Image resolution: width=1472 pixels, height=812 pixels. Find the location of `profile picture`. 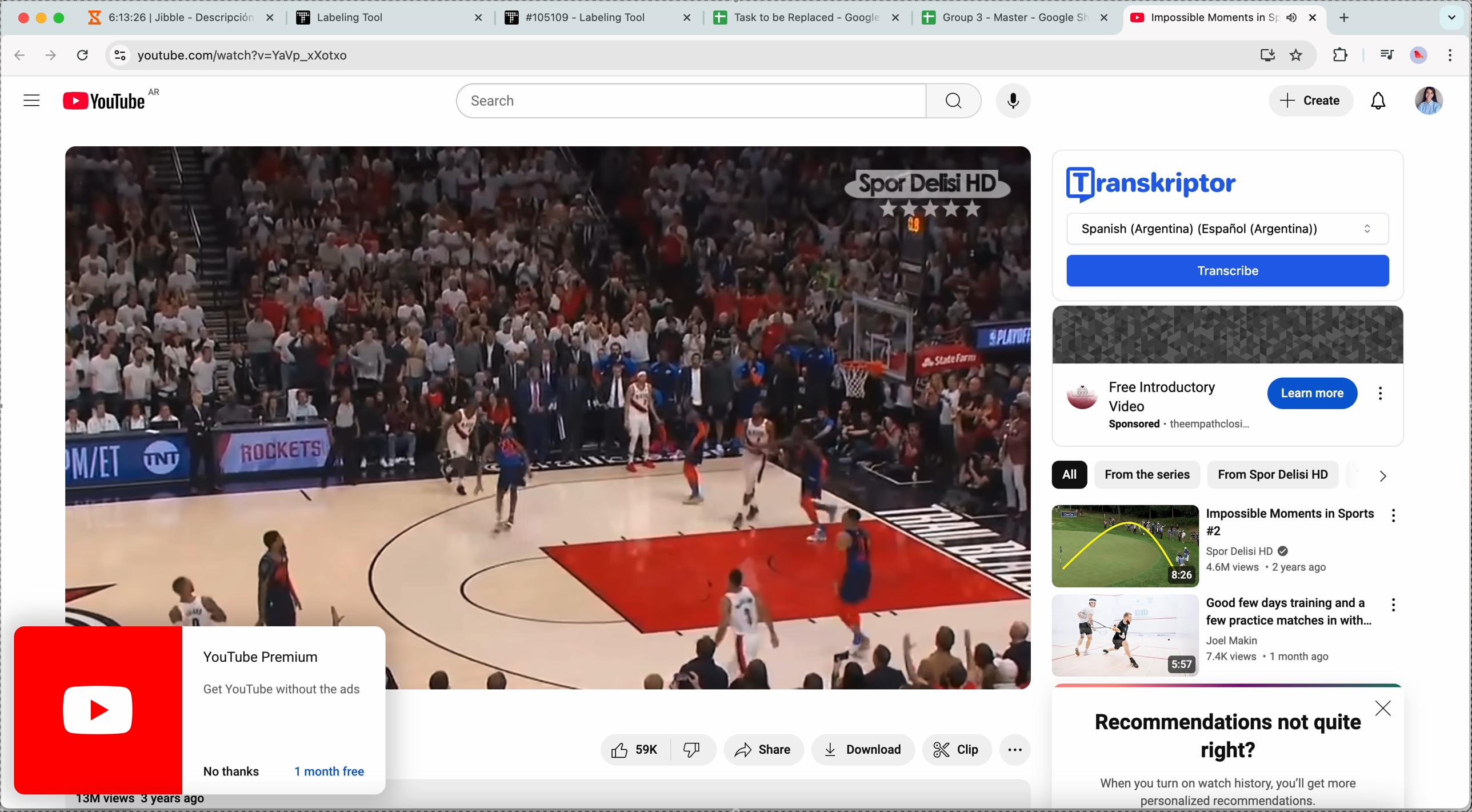

profile picture is located at coordinates (1419, 57).